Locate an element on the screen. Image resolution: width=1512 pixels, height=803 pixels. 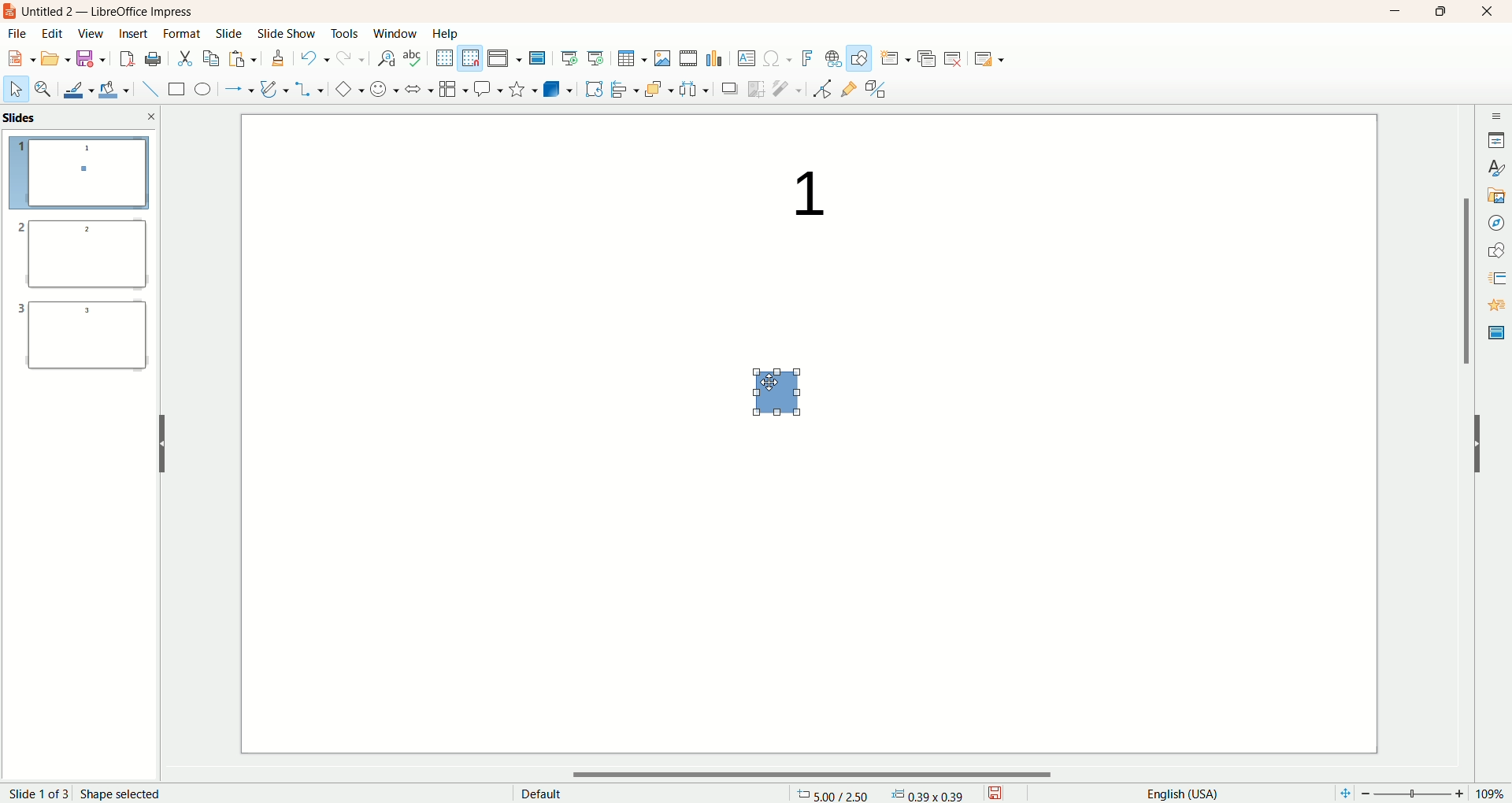
delete slide is located at coordinates (956, 61).